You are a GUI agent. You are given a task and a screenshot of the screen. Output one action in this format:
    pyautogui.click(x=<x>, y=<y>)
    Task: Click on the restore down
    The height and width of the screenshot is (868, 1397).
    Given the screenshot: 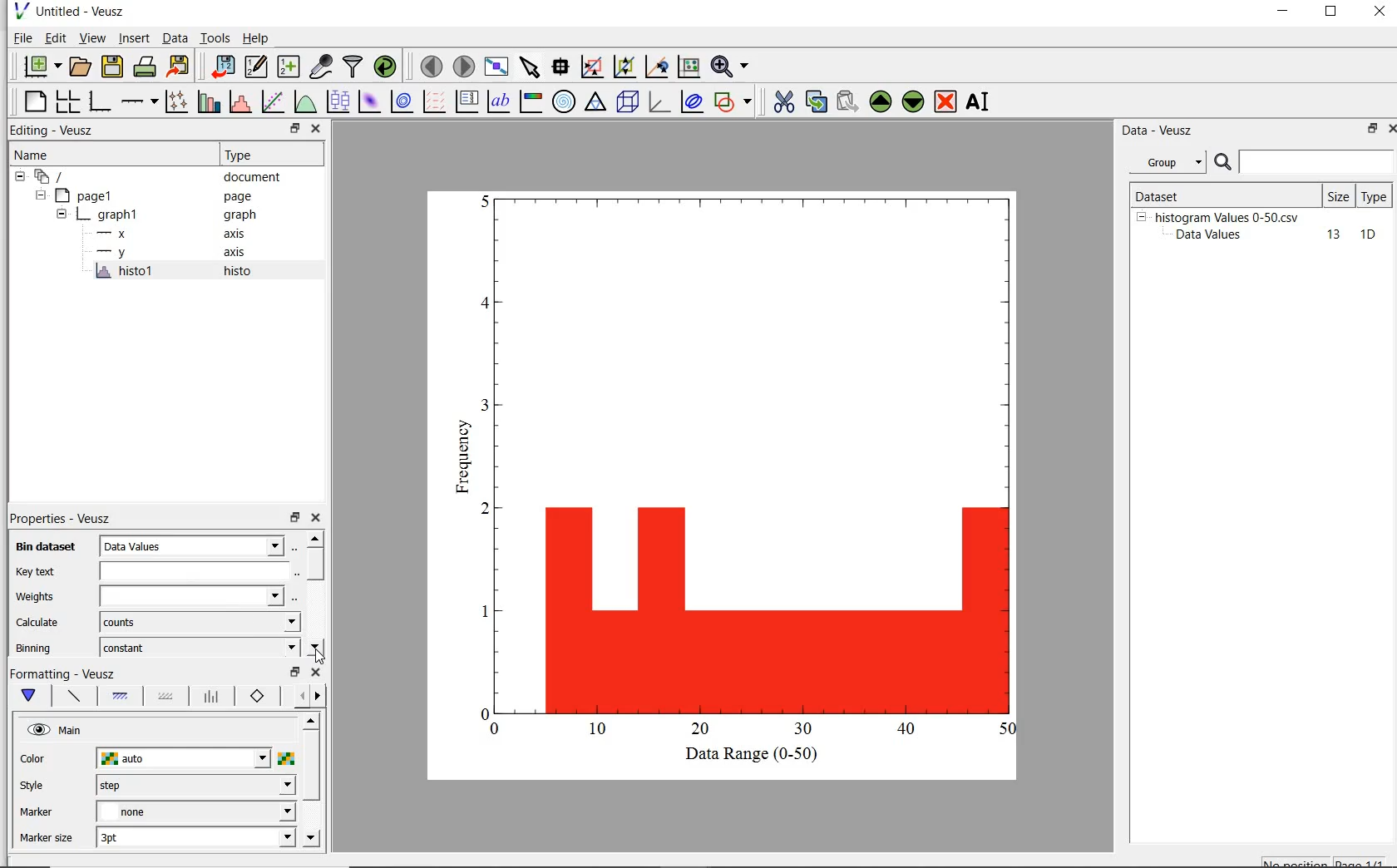 What is the action you would take?
    pyautogui.click(x=1331, y=13)
    